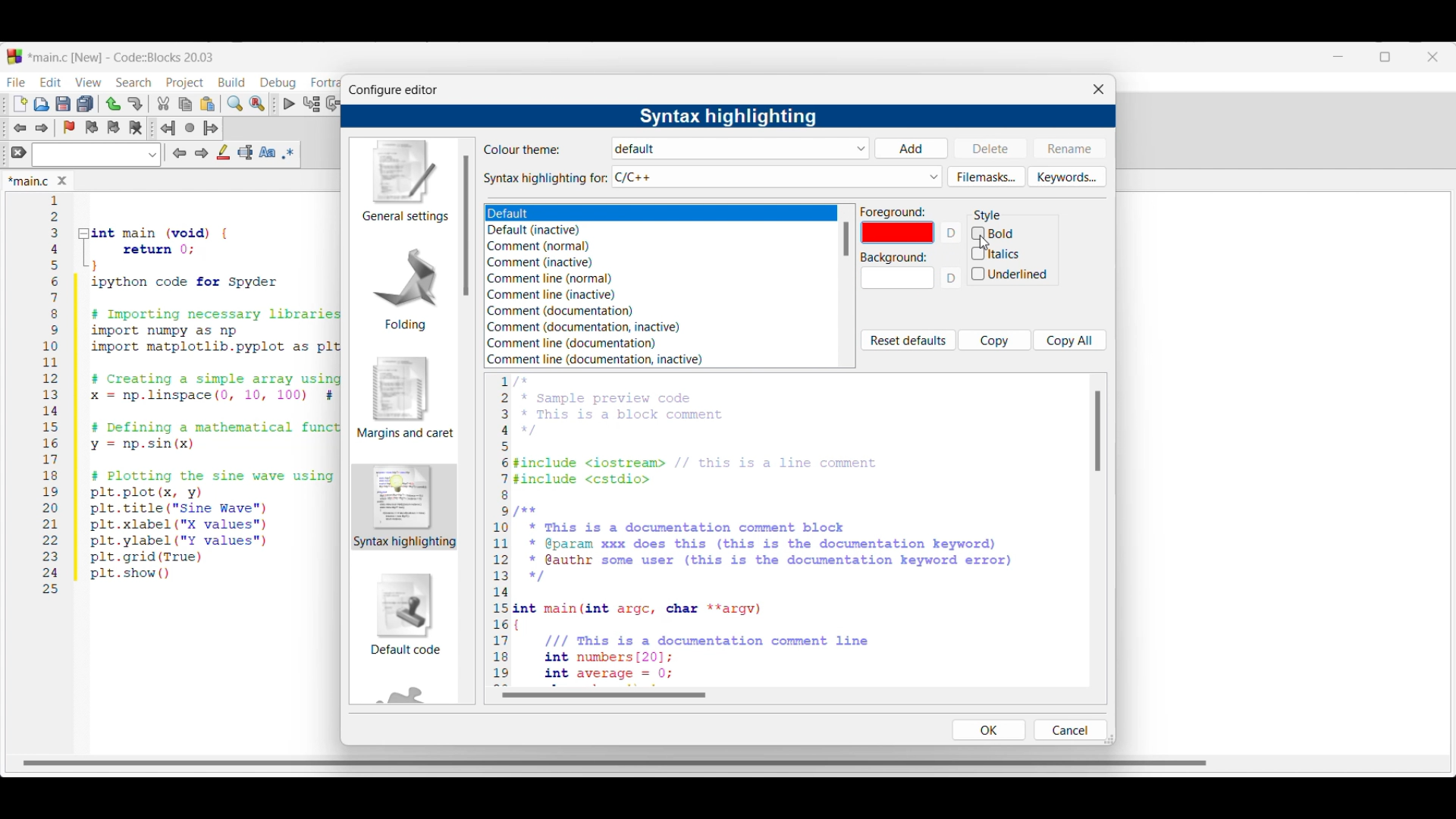 The height and width of the screenshot is (819, 1456). I want to click on Cursor clicking on Bold toggle, so click(984, 243).